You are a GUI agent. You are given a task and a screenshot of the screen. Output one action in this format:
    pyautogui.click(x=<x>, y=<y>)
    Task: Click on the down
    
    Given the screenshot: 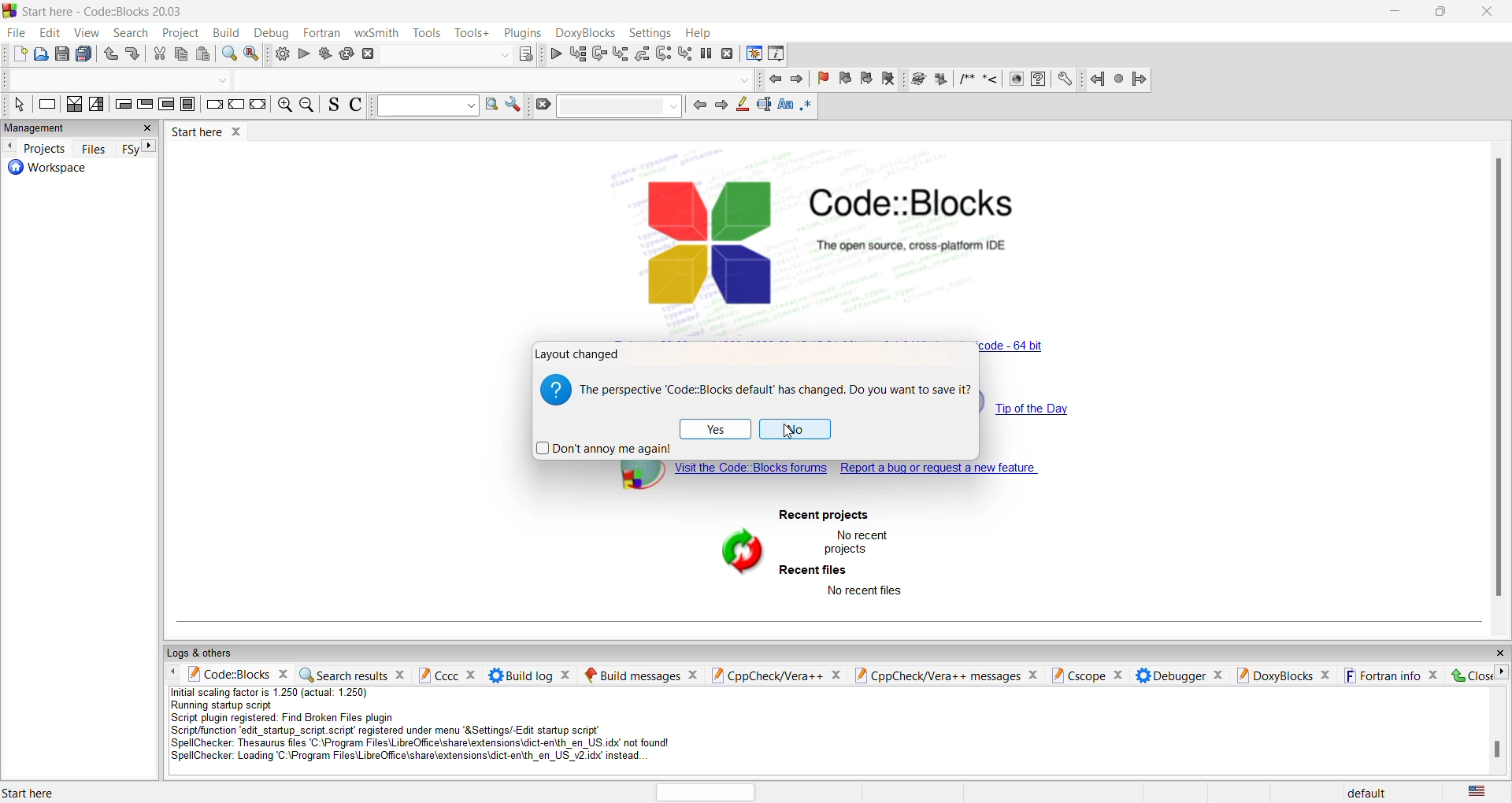 What is the action you would take?
    pyautogui.click(x=221, y=81)
    